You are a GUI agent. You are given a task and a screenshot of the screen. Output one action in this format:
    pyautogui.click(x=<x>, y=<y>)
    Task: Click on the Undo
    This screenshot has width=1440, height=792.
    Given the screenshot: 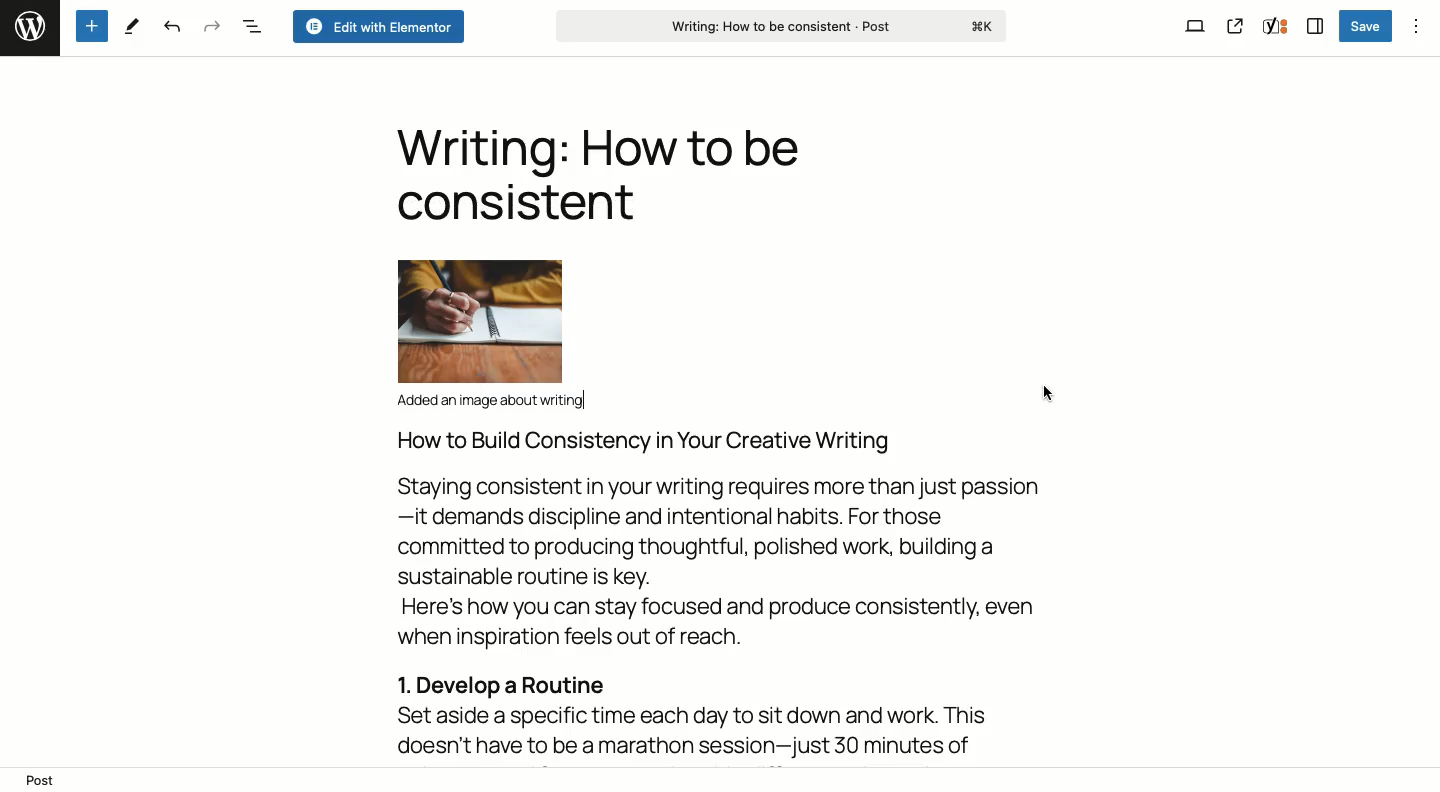 What is the action you would take?
    pyautogui.click(x=171, y=28)
    